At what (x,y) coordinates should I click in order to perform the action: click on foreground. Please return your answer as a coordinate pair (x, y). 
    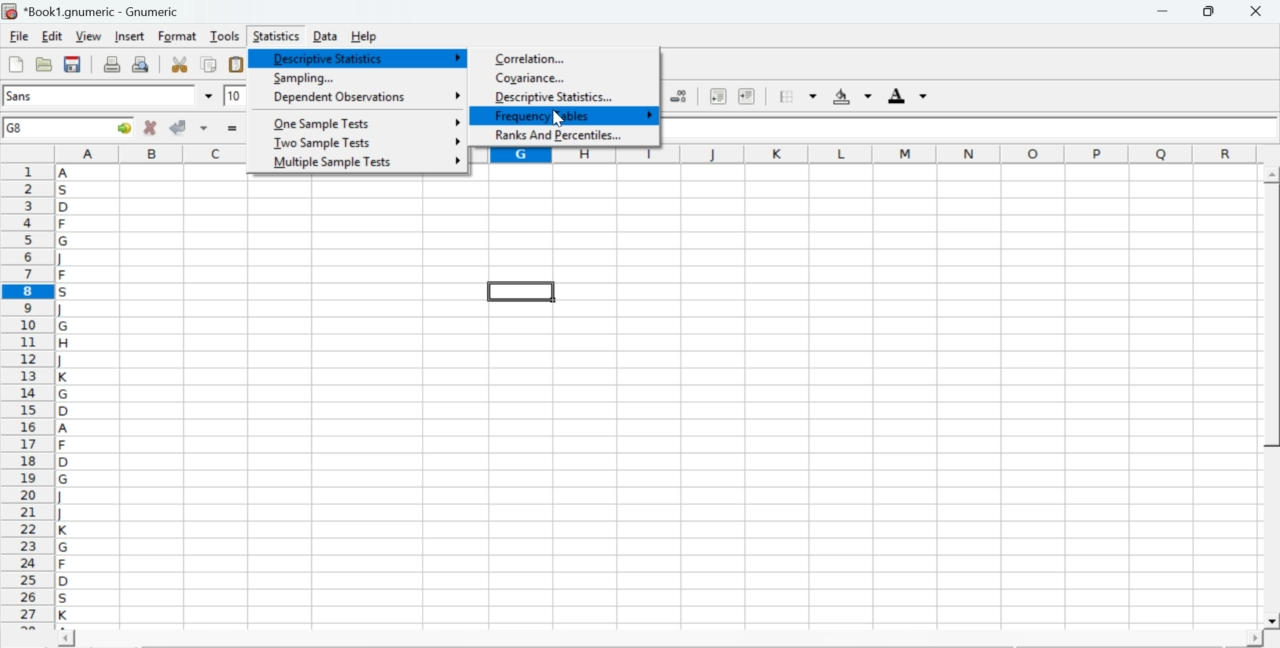
    Looking at the image, I should click on (908, 95).